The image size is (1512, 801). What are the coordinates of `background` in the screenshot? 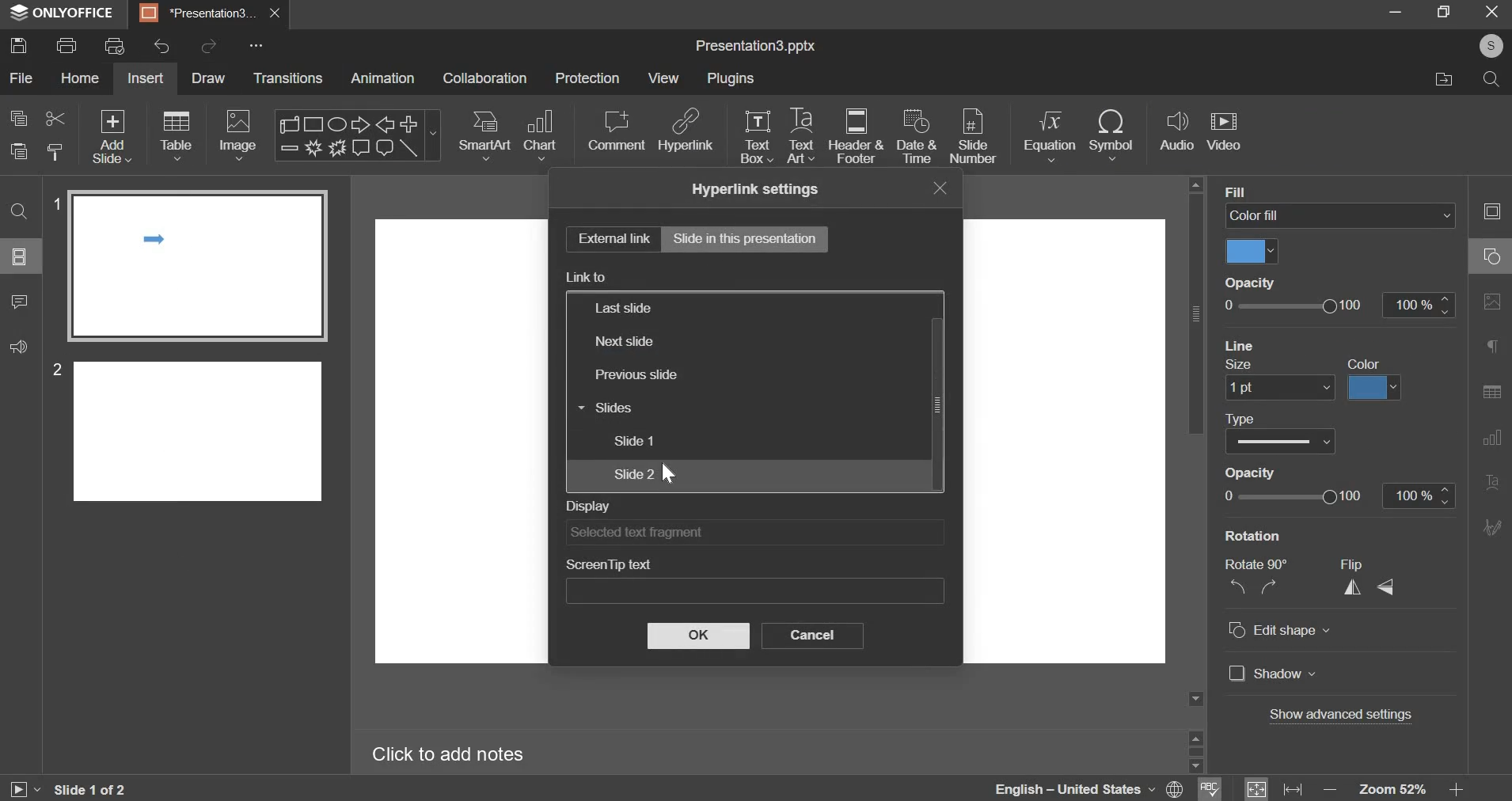 It's located at (1266, 191).